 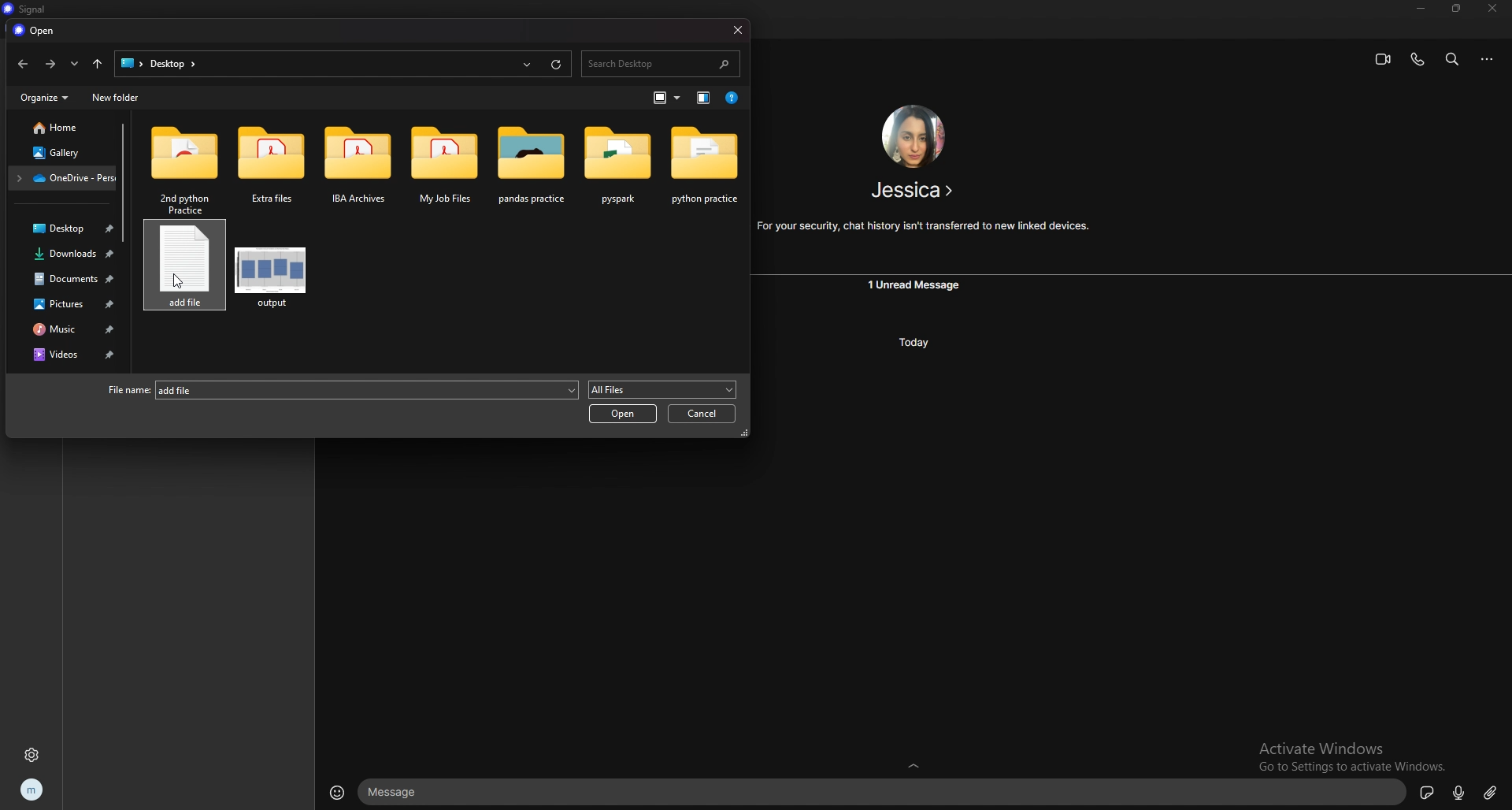 I want to click on folder, so click(x=62, y=179).